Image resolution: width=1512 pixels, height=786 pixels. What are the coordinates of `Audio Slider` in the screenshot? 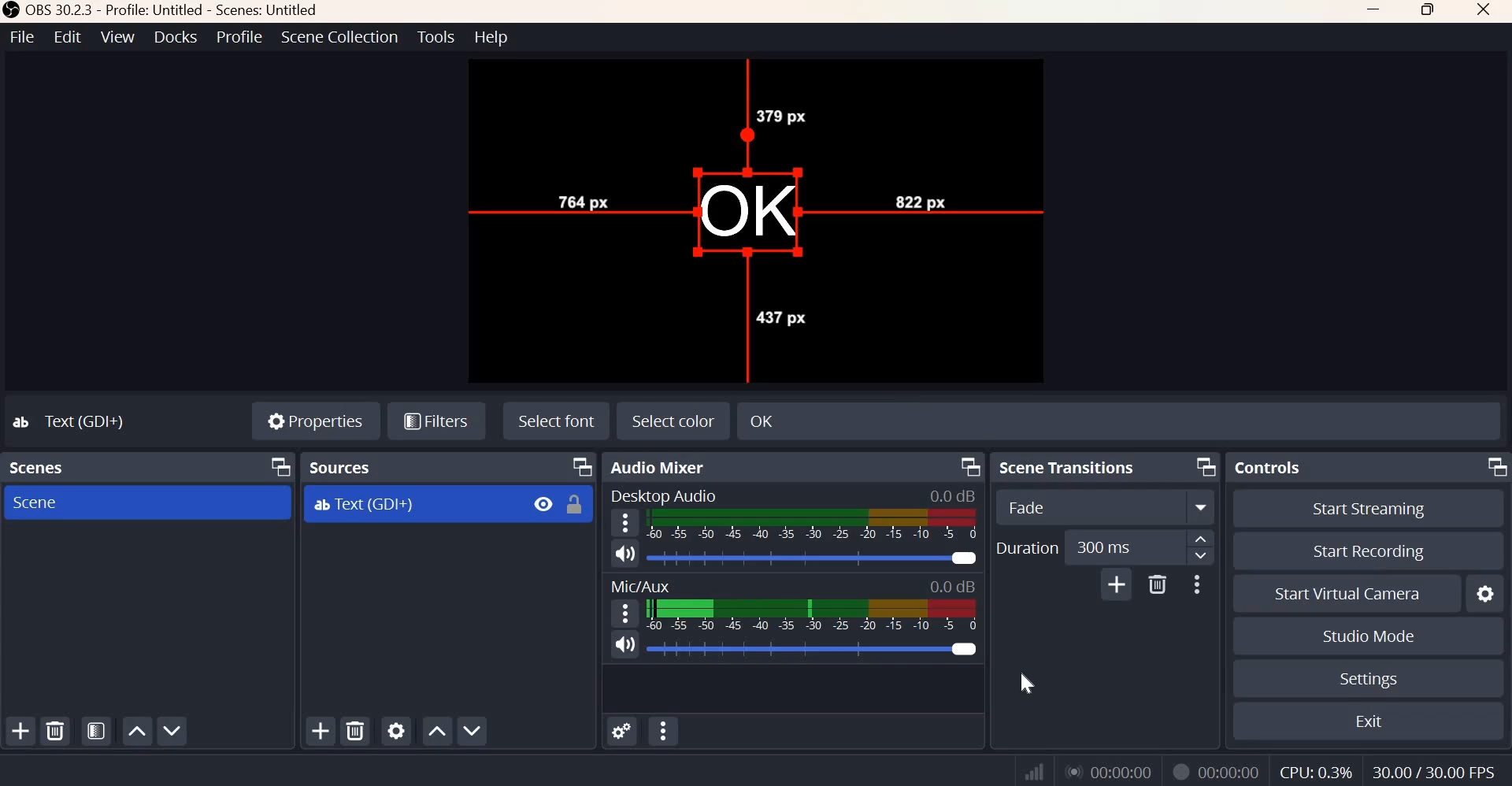 It's located at (813, 558).